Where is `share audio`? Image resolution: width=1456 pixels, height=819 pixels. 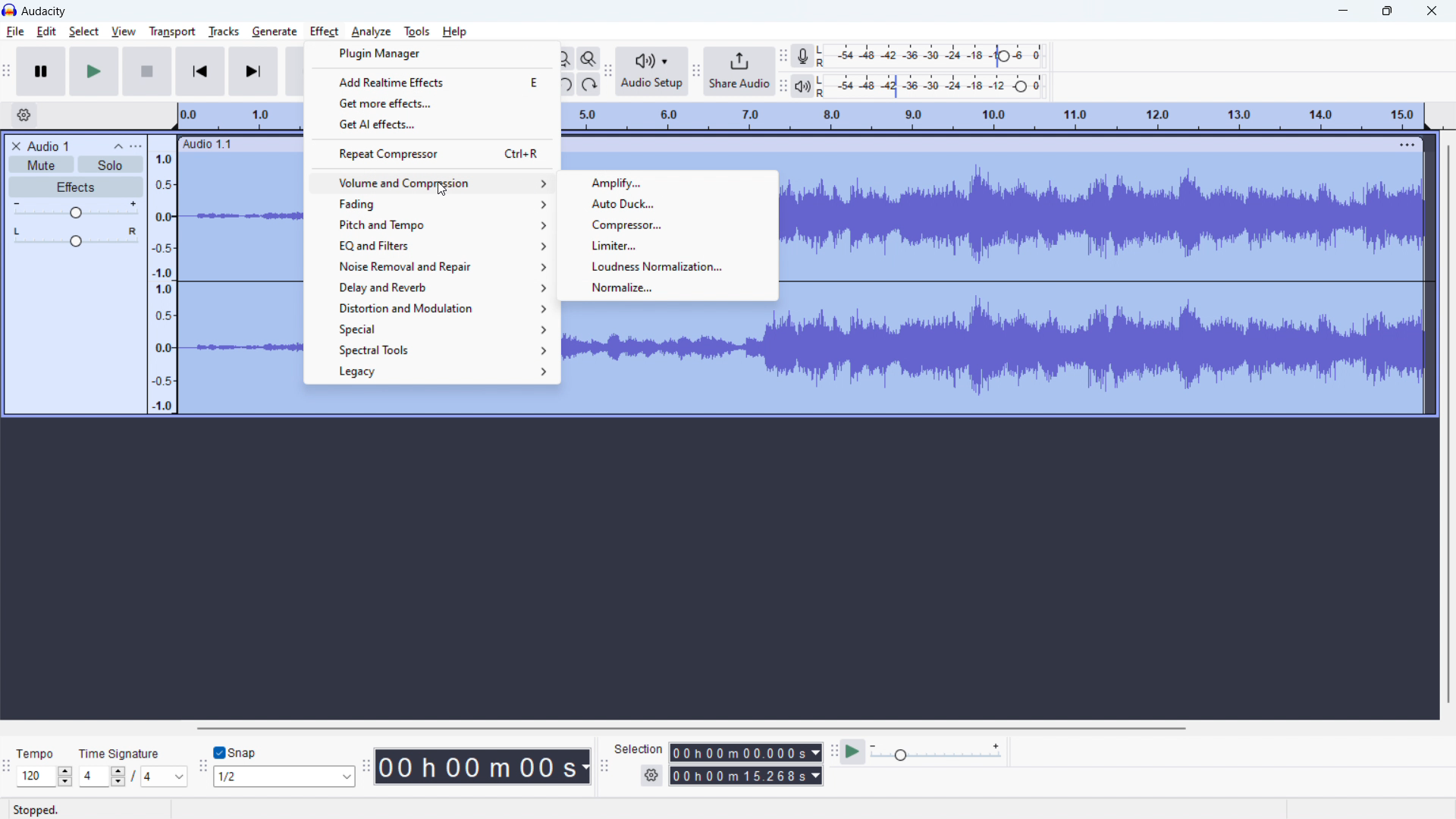
share audio is located at coordinates (739, 70).